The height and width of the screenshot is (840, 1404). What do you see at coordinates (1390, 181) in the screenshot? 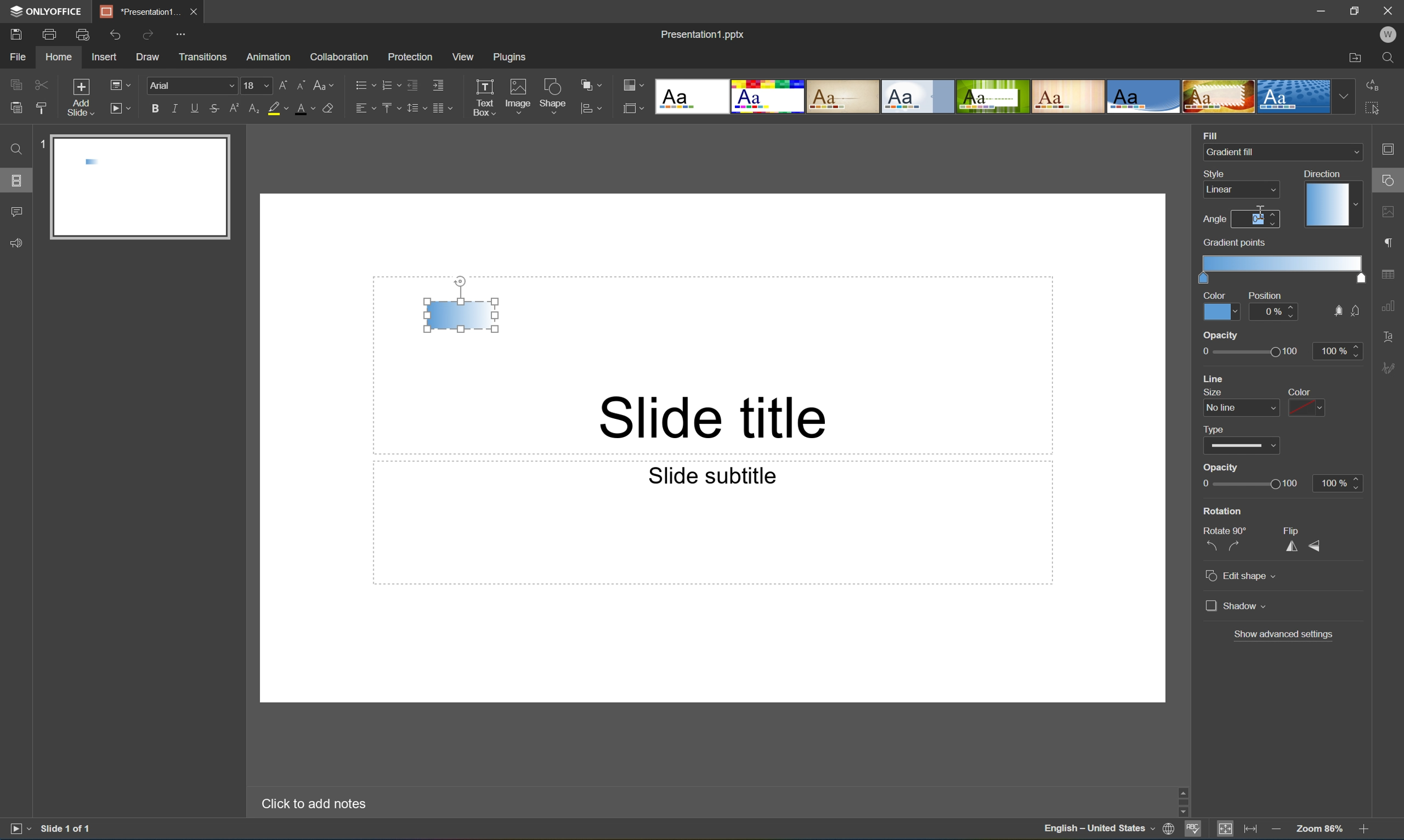
I see `shape settings` at bounding box center [1390, 181].